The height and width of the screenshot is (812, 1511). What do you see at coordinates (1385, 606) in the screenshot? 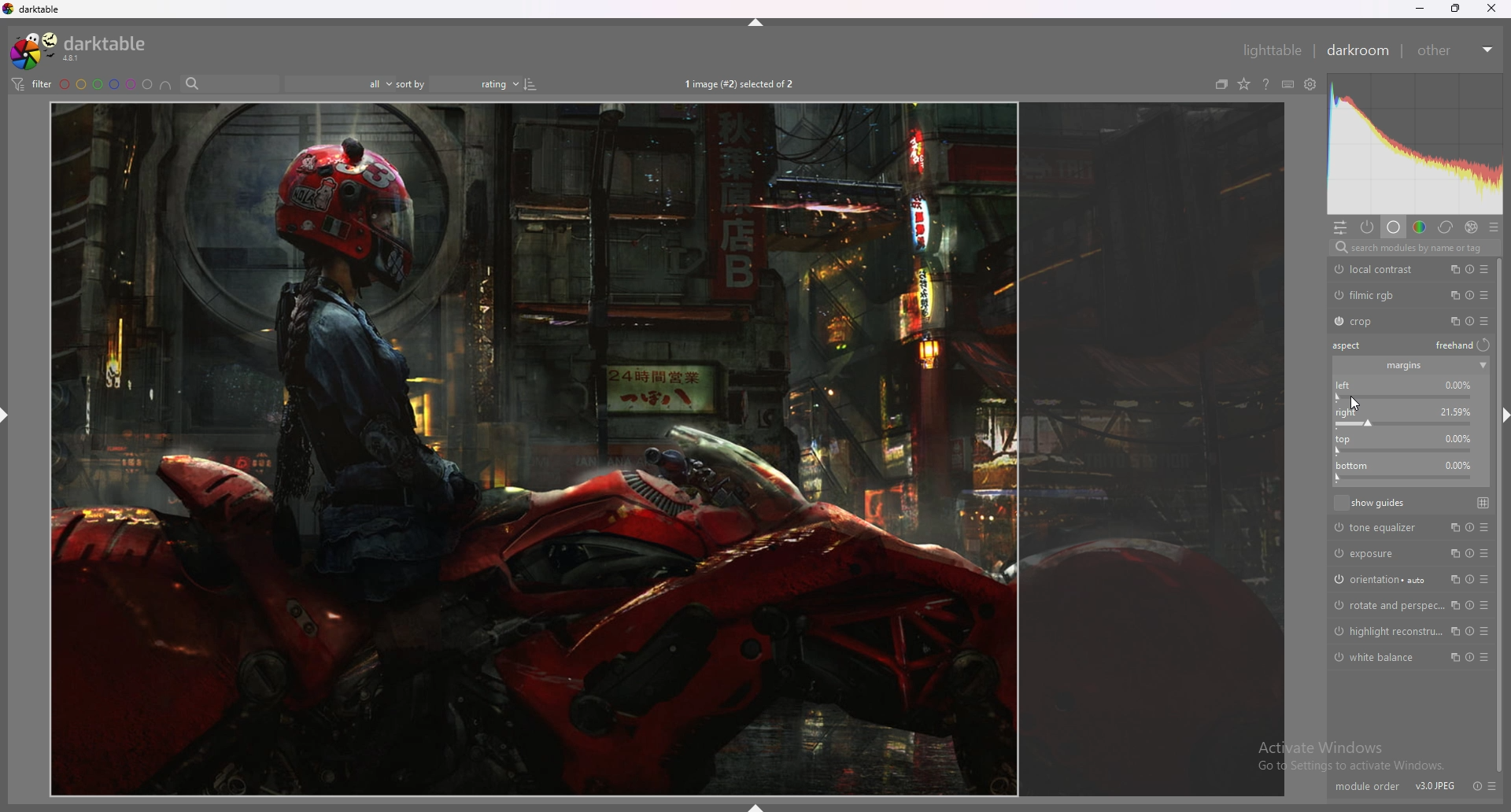
I see `rotate and perspective` at bounding box center [1385, 606].